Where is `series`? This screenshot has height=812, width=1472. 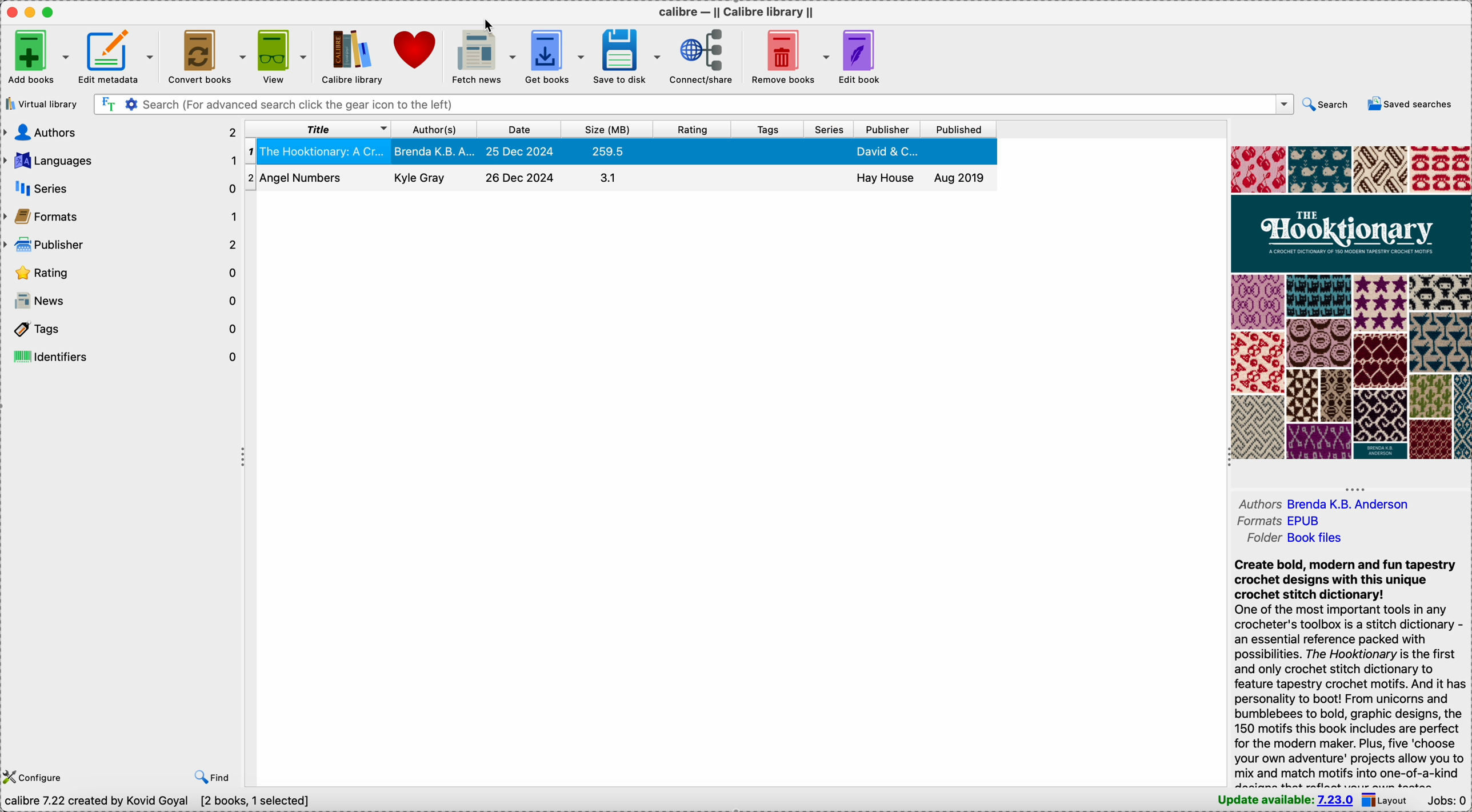
series is located at coordinates (826, 129).